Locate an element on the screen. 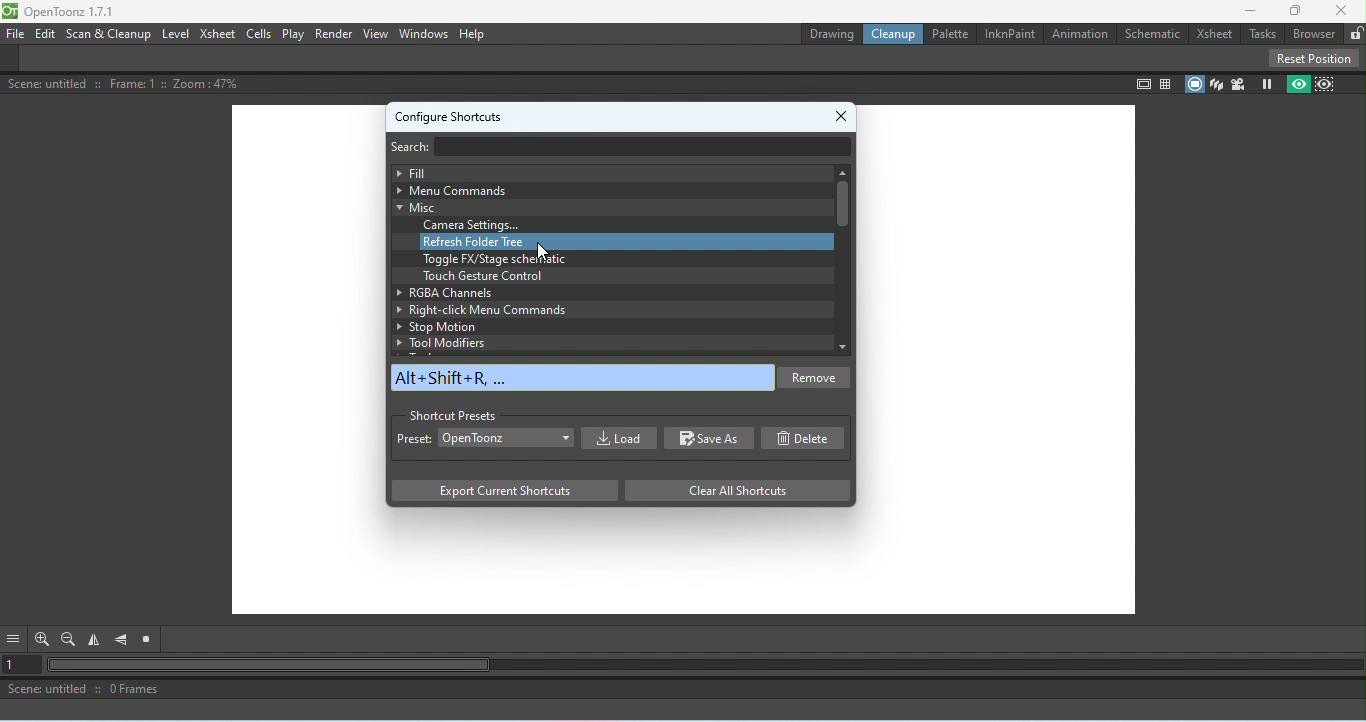 The width and height of the screenshot is (1366, 722). Scene: untitled :: 0 Frames is located at coordinates (683, 691).